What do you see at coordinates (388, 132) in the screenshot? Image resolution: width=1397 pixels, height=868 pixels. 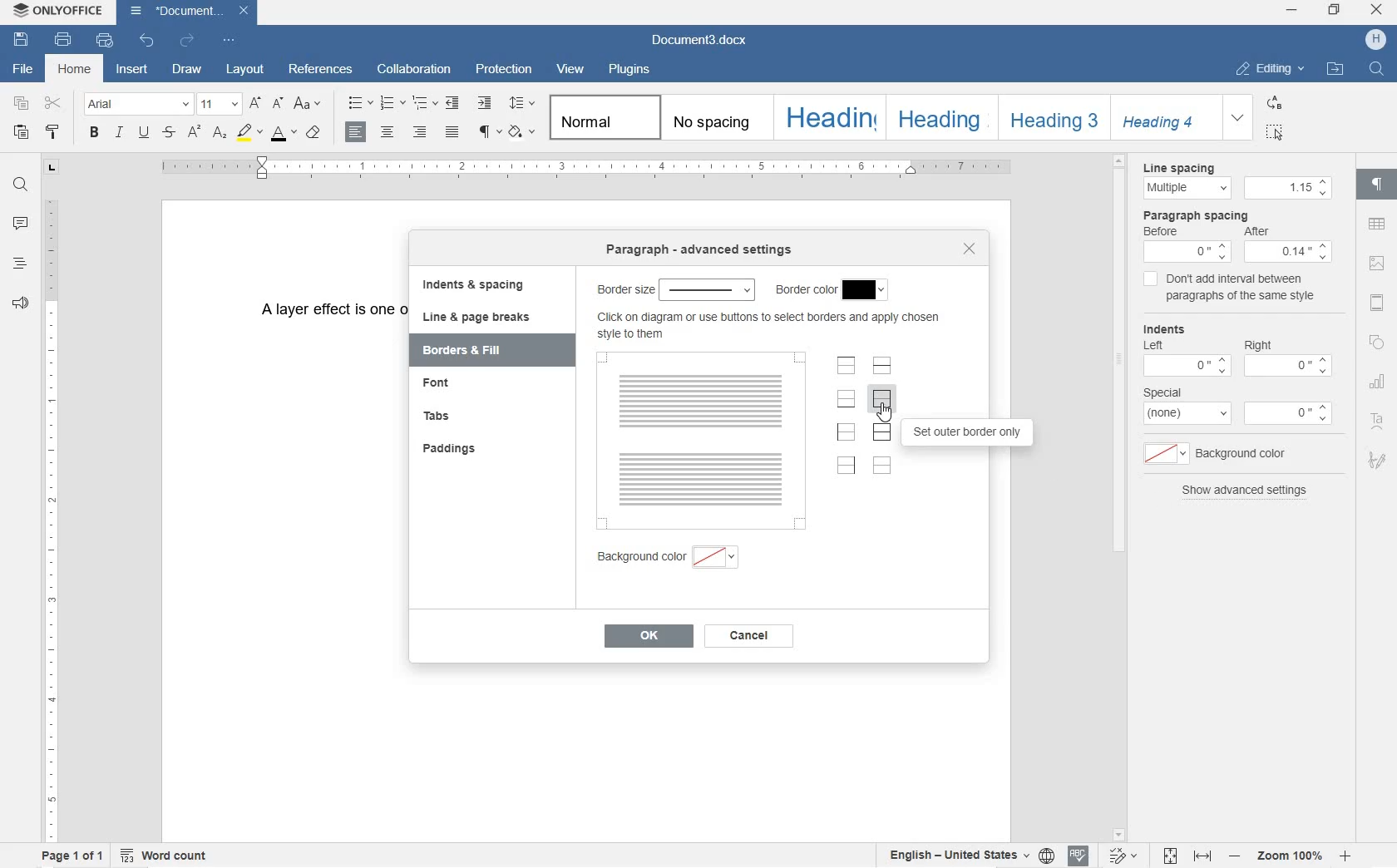 I see `ALIGN CENTER` at bounding box center [388, 132].